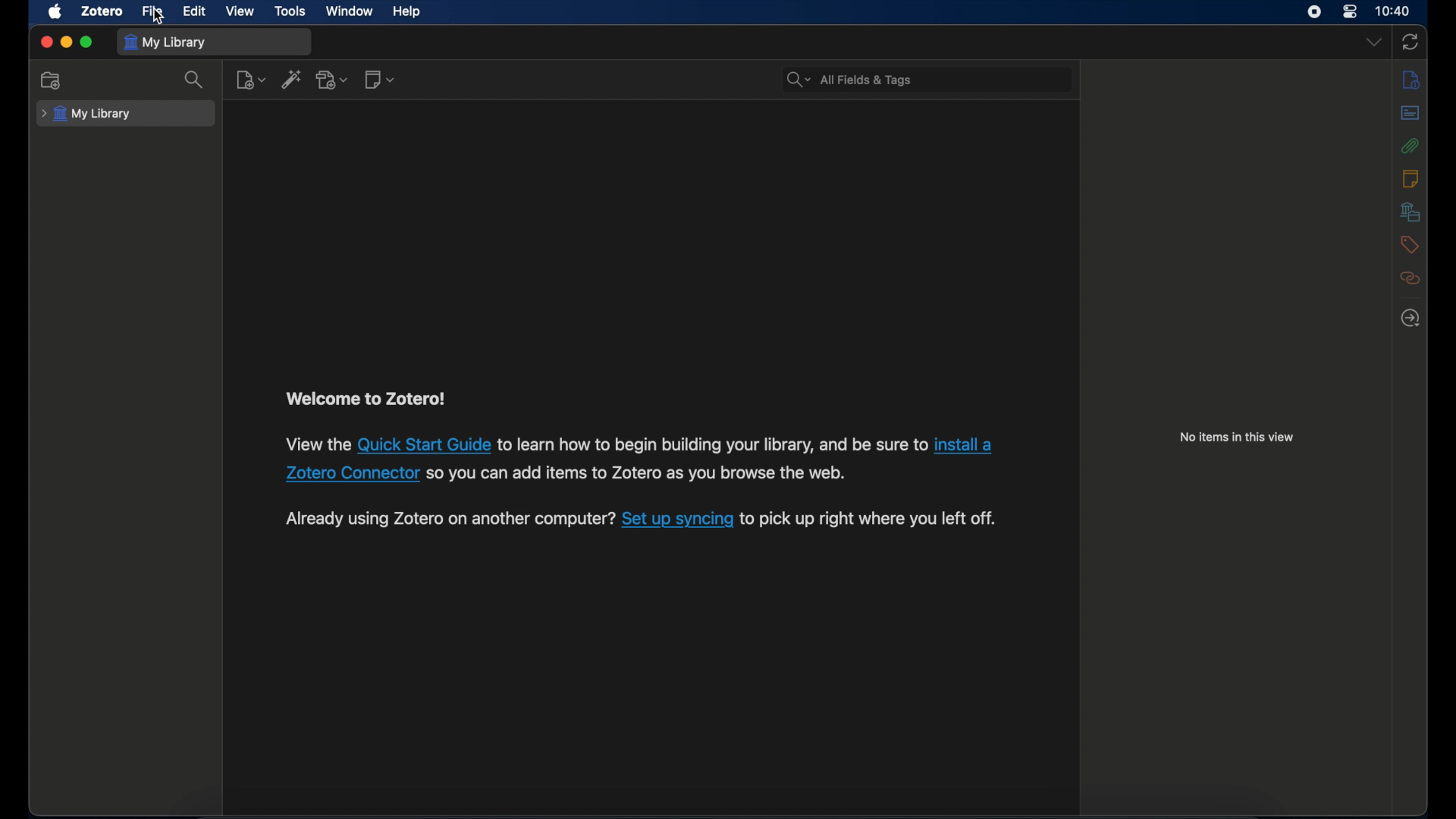  I want to click on add item by identifier, so click(292, 79).